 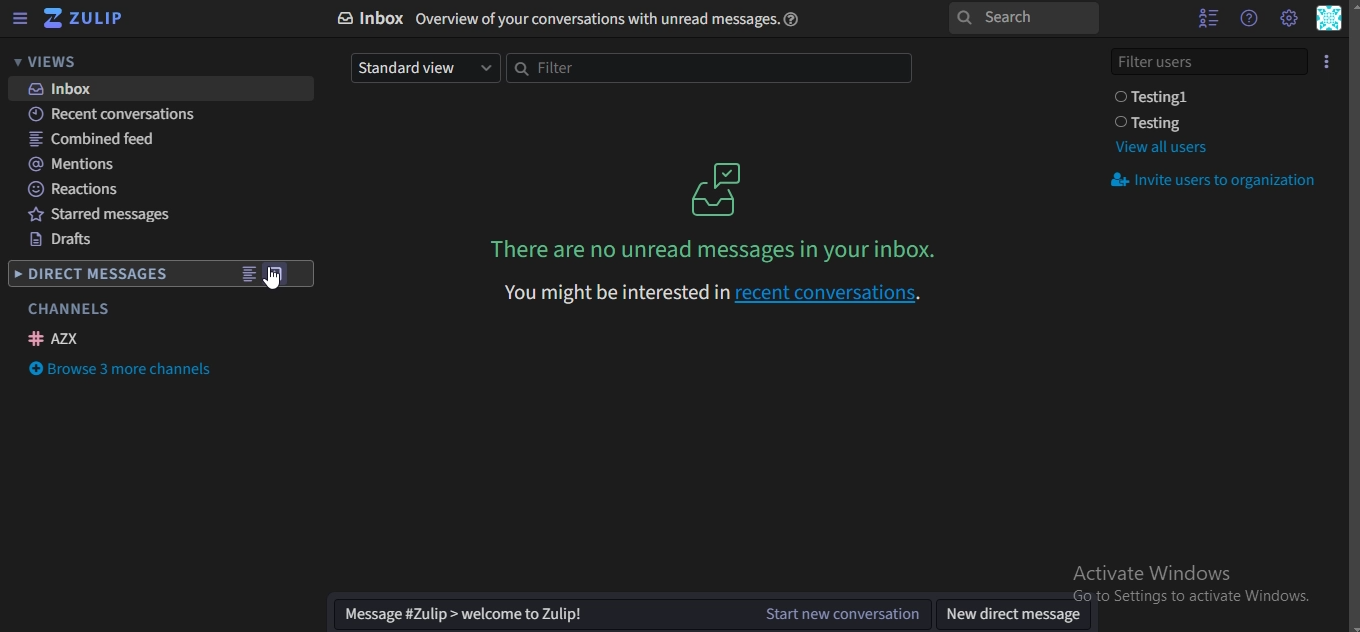 What do you see at coordinates (1288, 18) in the screenshot?
I see `main menu` at bounding box center [1288, 18].